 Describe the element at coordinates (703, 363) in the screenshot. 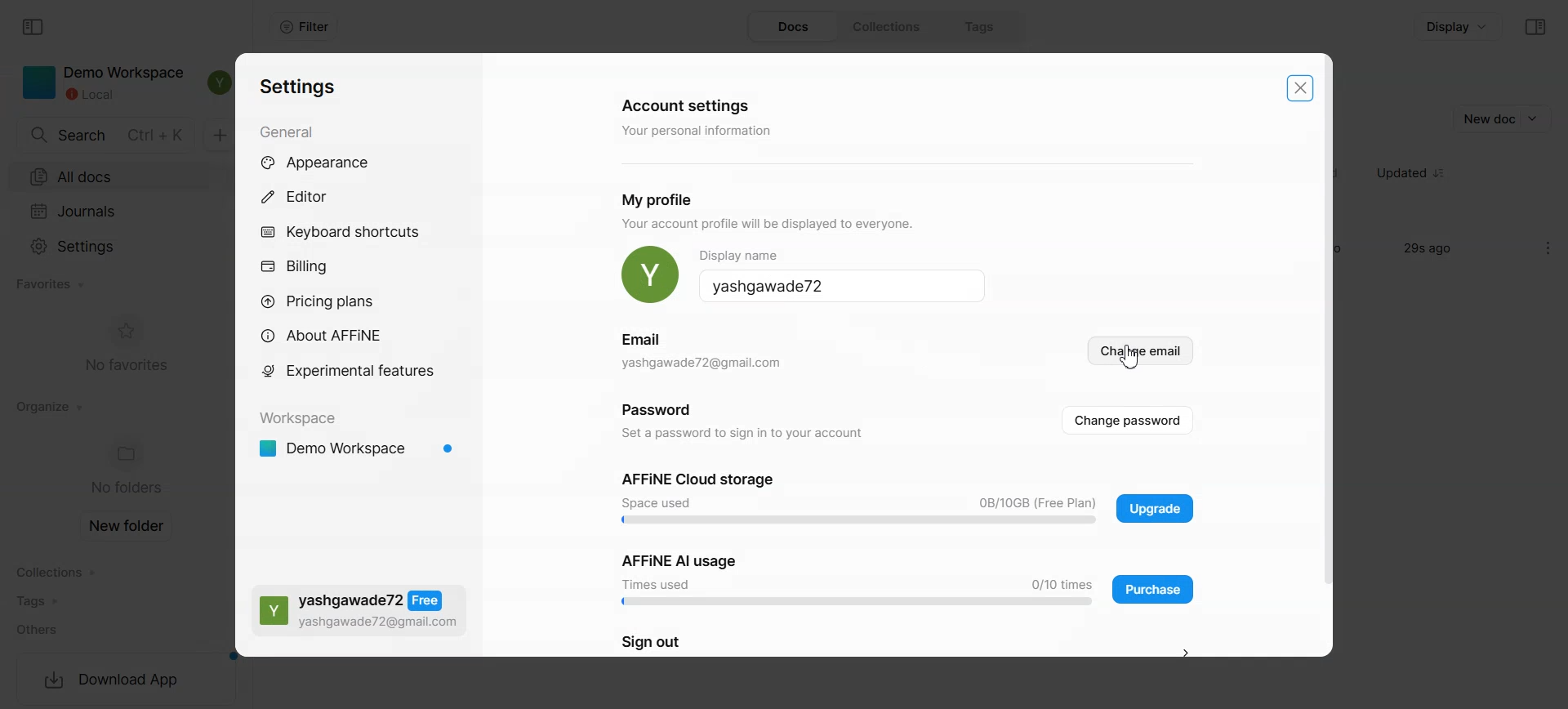

I see `email` at that location.